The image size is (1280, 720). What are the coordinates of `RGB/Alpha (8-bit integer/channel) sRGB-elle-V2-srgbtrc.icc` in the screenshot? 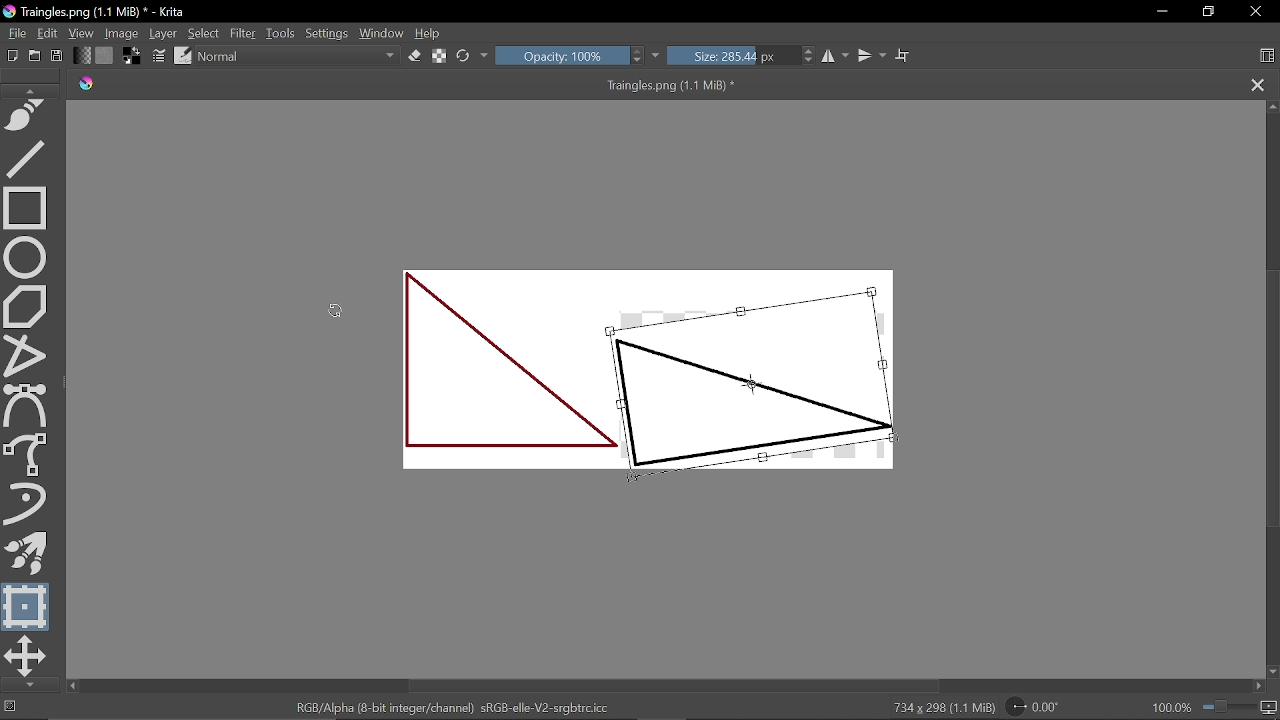 It's located at (455, 706).